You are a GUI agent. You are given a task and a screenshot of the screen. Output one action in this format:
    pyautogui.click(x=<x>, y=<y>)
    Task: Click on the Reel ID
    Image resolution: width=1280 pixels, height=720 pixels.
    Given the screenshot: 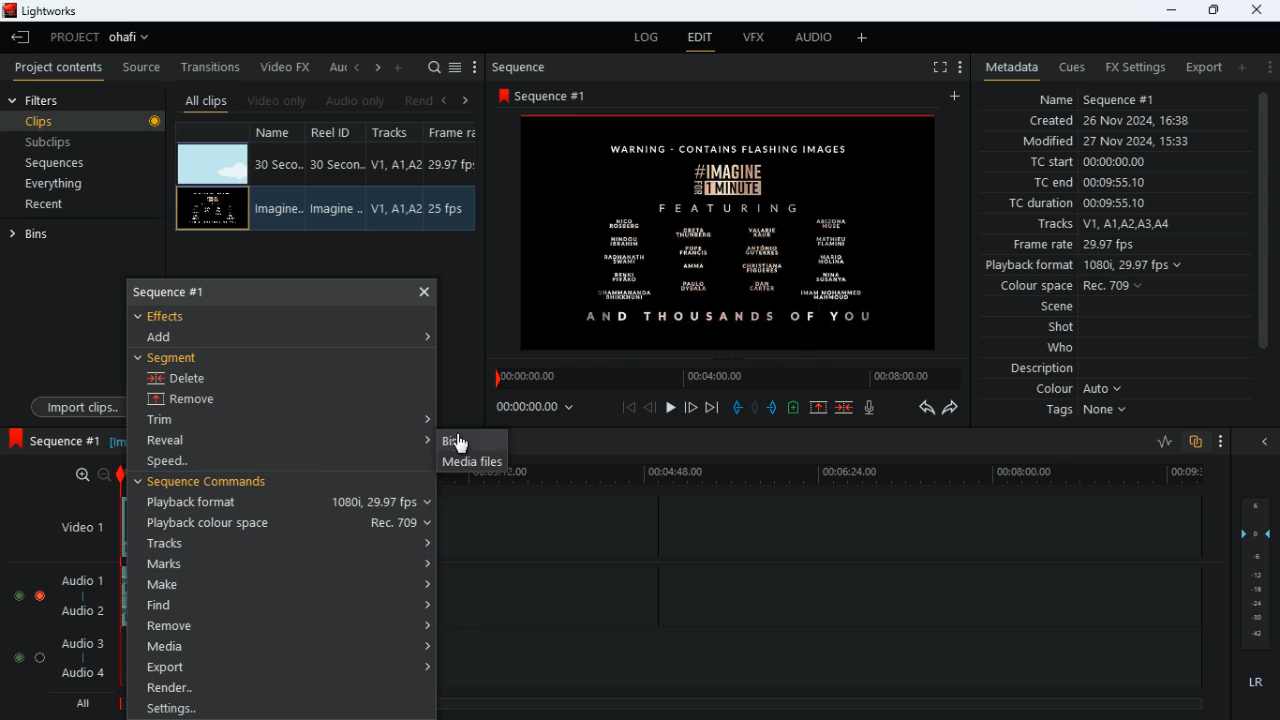 What is the action you would take?
    pyautogui.click(x=336, y=209)
    